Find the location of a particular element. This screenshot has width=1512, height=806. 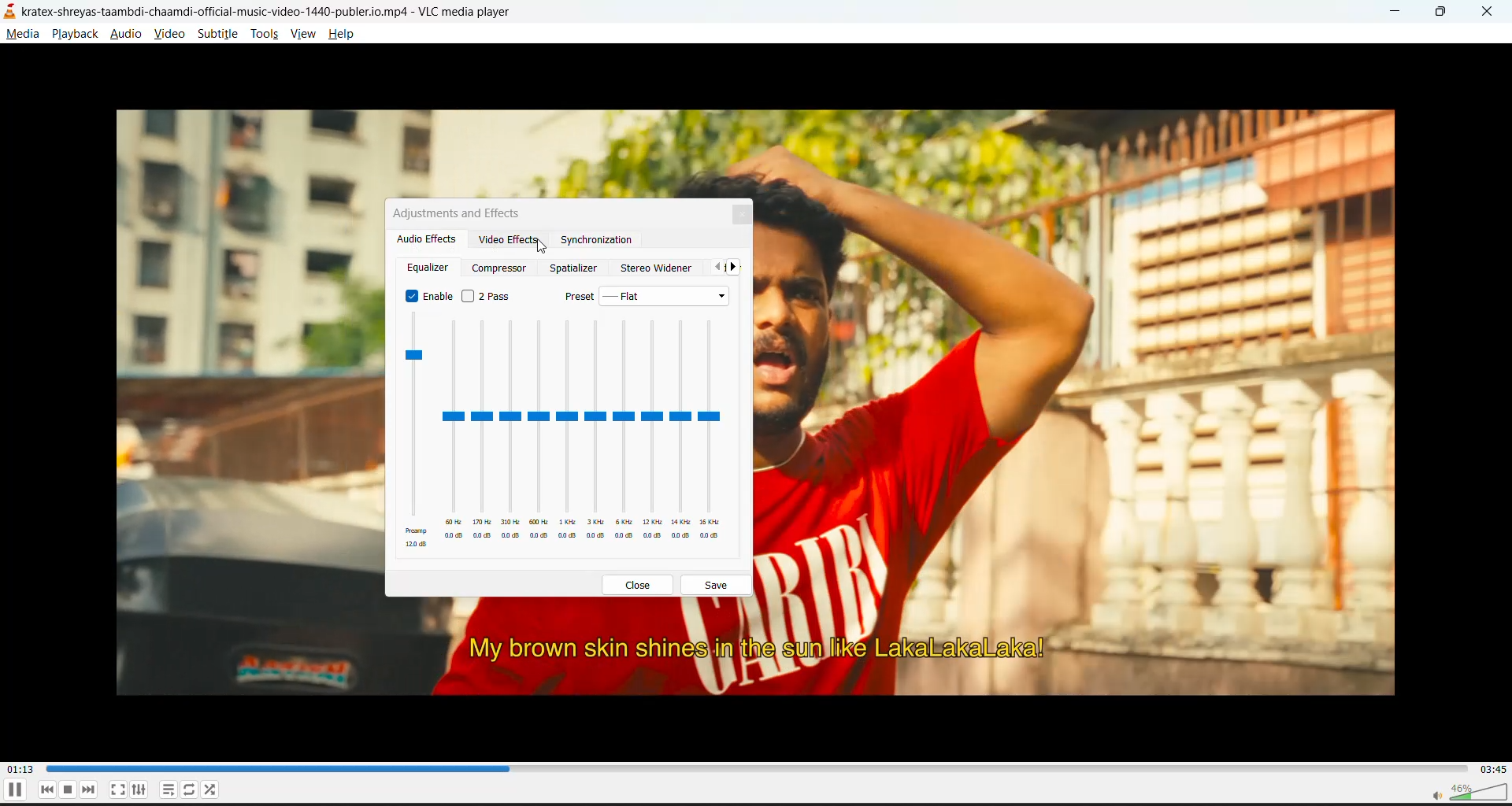

full screen is located at coordinates (117, 791).